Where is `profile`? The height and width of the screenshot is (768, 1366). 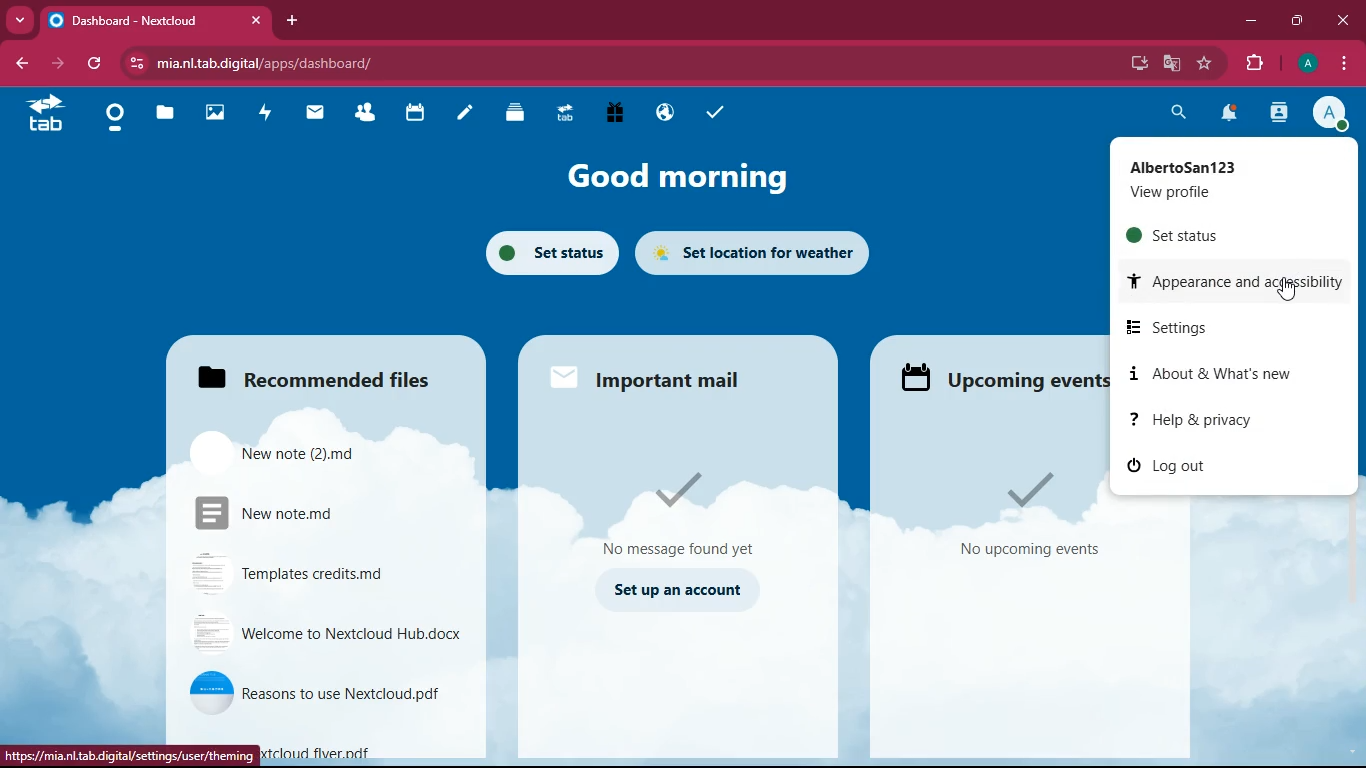 profile is located at coordinates (1306, 64).